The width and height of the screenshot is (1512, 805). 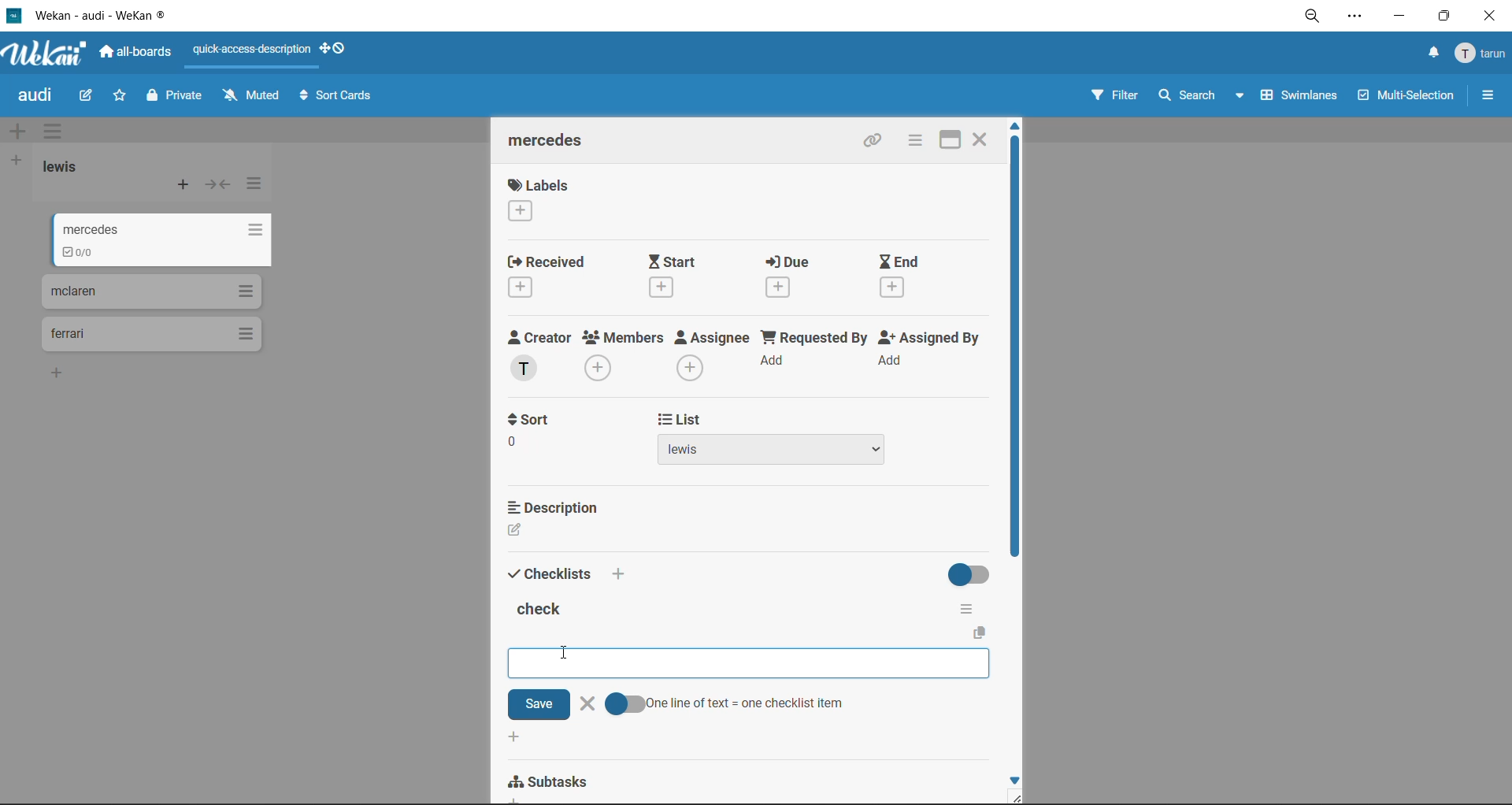 I want to click on card actions, so click(x=911, y=142).